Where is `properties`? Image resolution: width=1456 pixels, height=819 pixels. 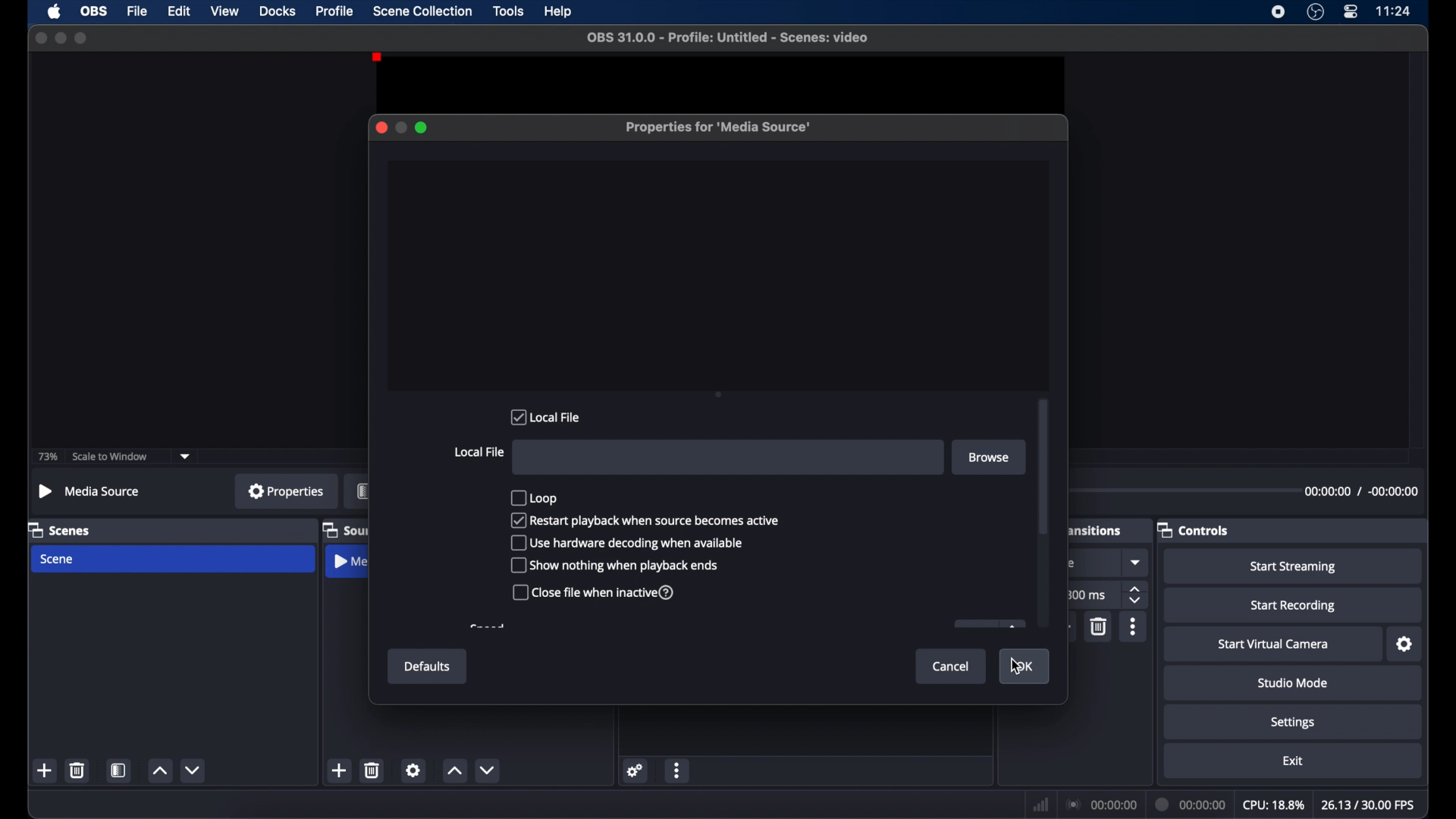
properties is located at coordinates (286, 491).